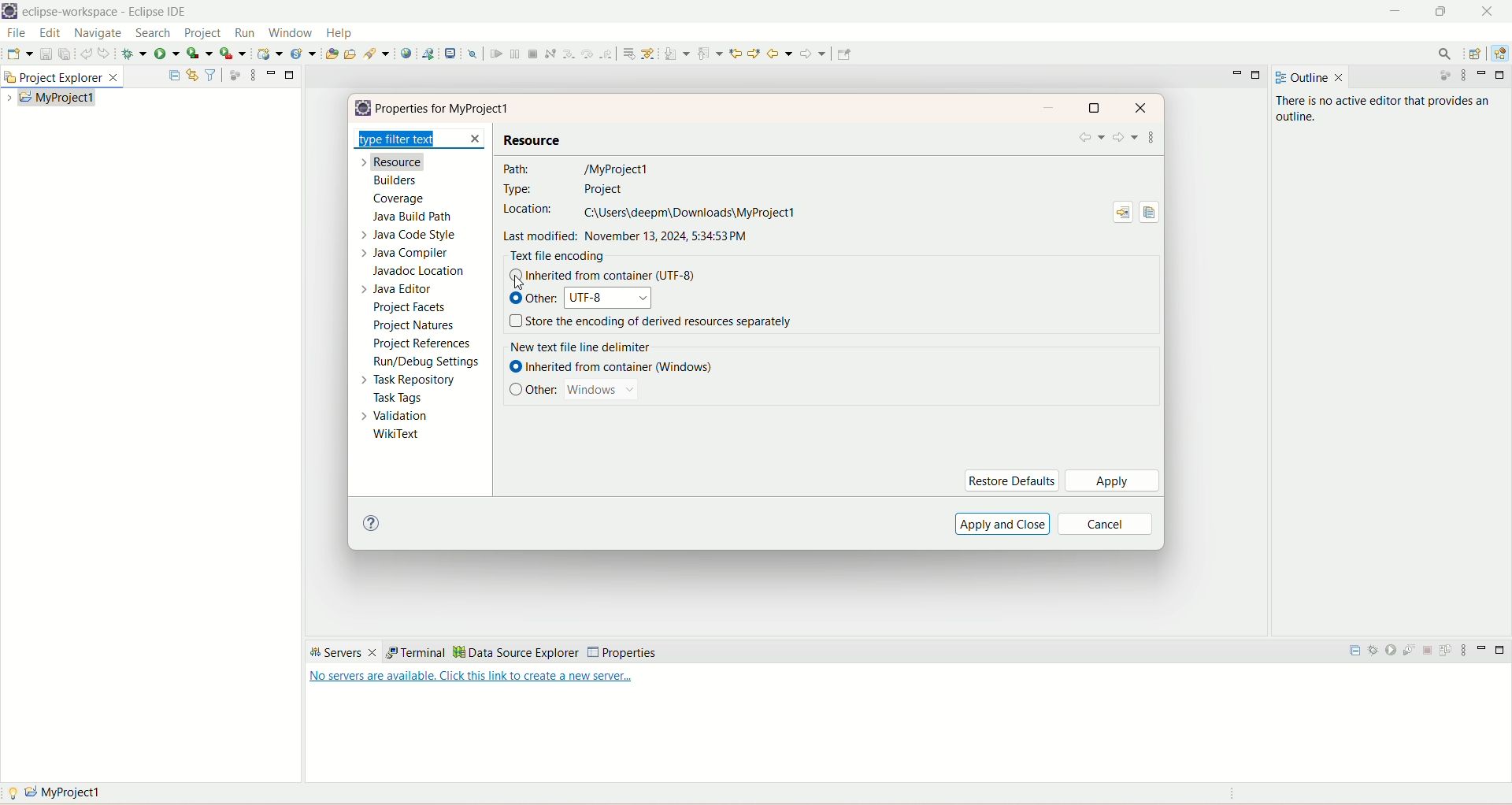 The width and height of the screenshot is (1512, 805). I want to click on inherited from container, so click(623, 369).